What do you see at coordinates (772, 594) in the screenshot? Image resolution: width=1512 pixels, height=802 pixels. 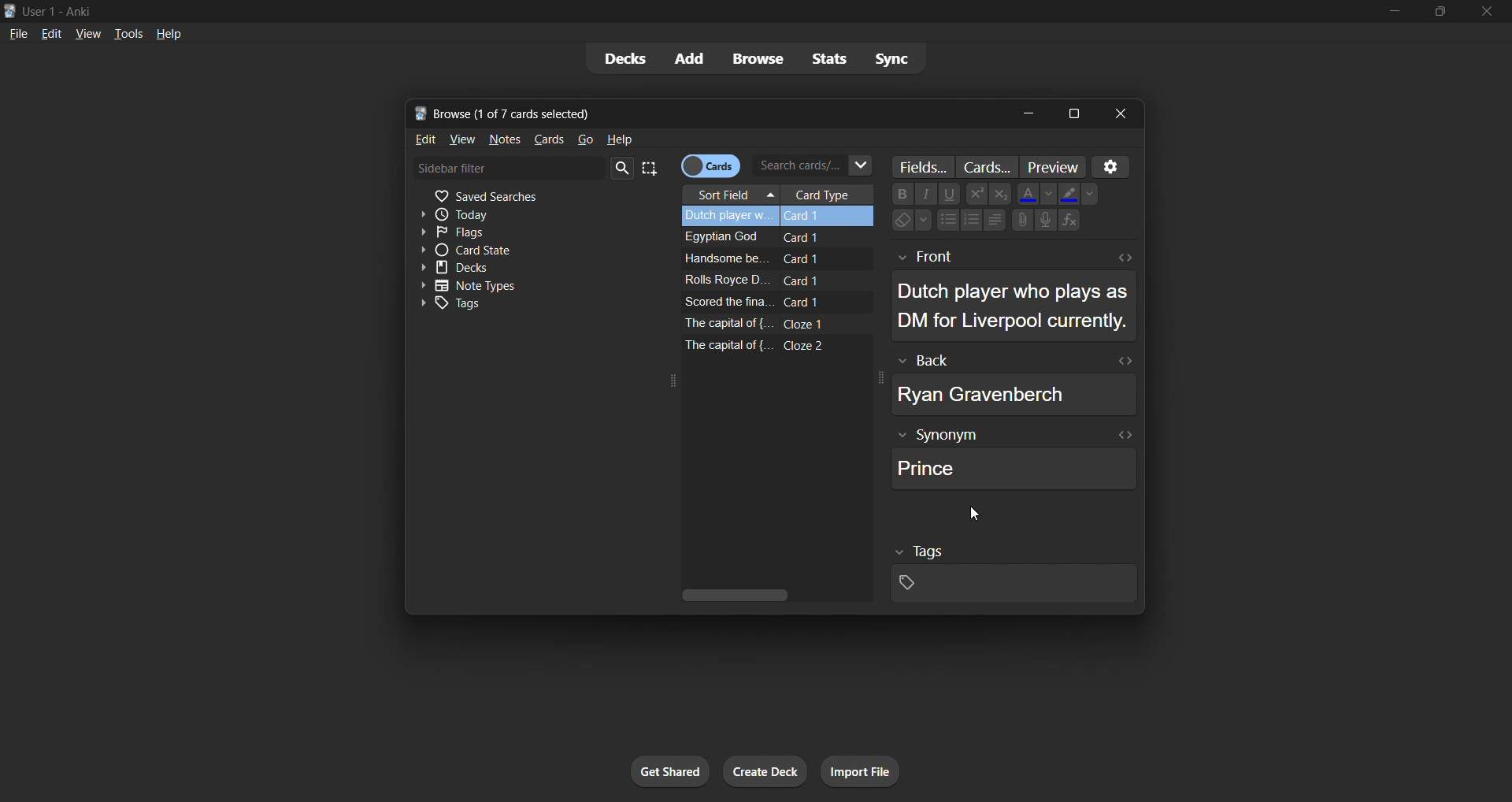 I see `vertical scroll bar` at bounding box center [772, 594].